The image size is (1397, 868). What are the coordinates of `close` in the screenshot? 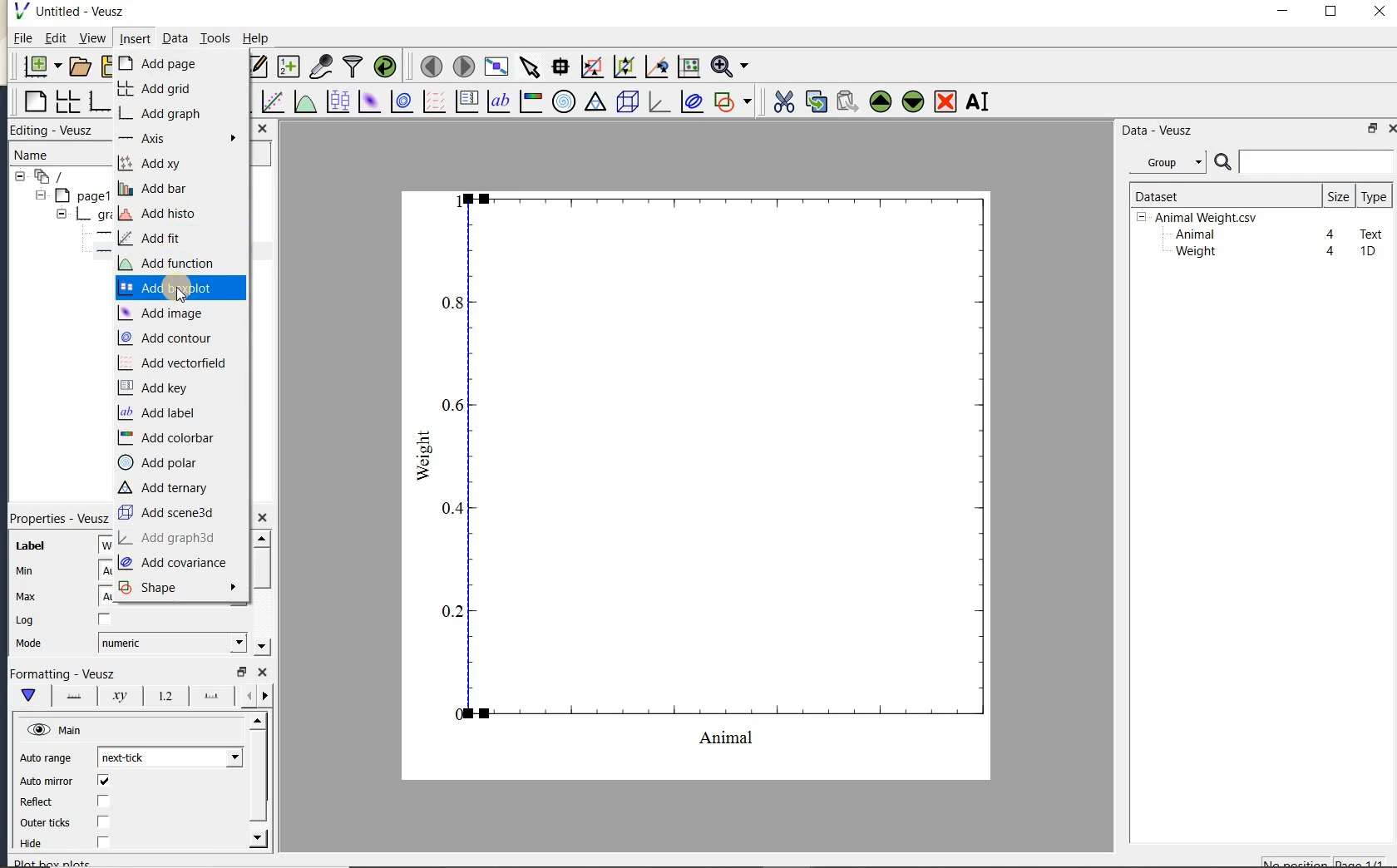 It's located at (1380, 12).